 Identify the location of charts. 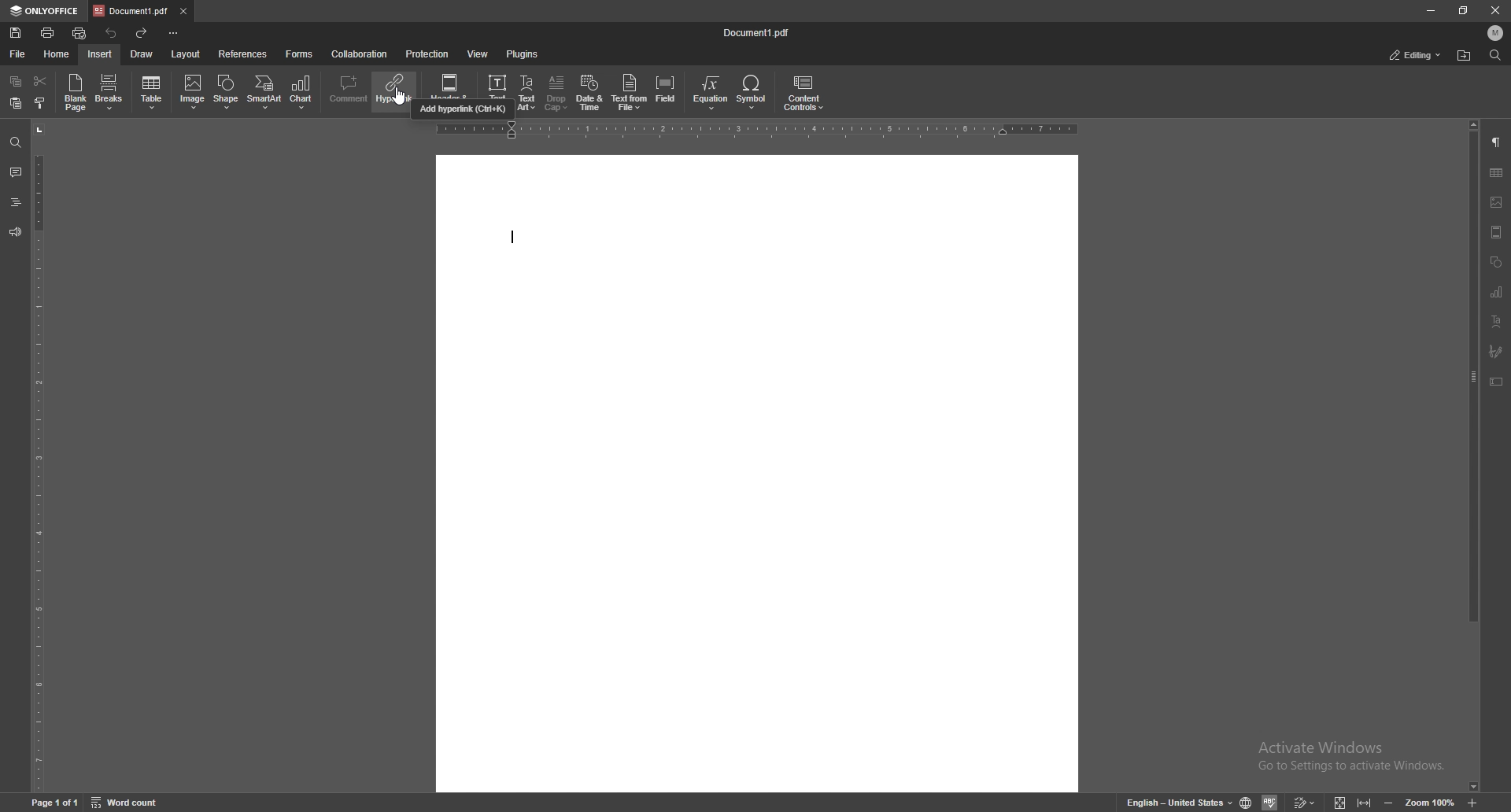
(1498, 291).